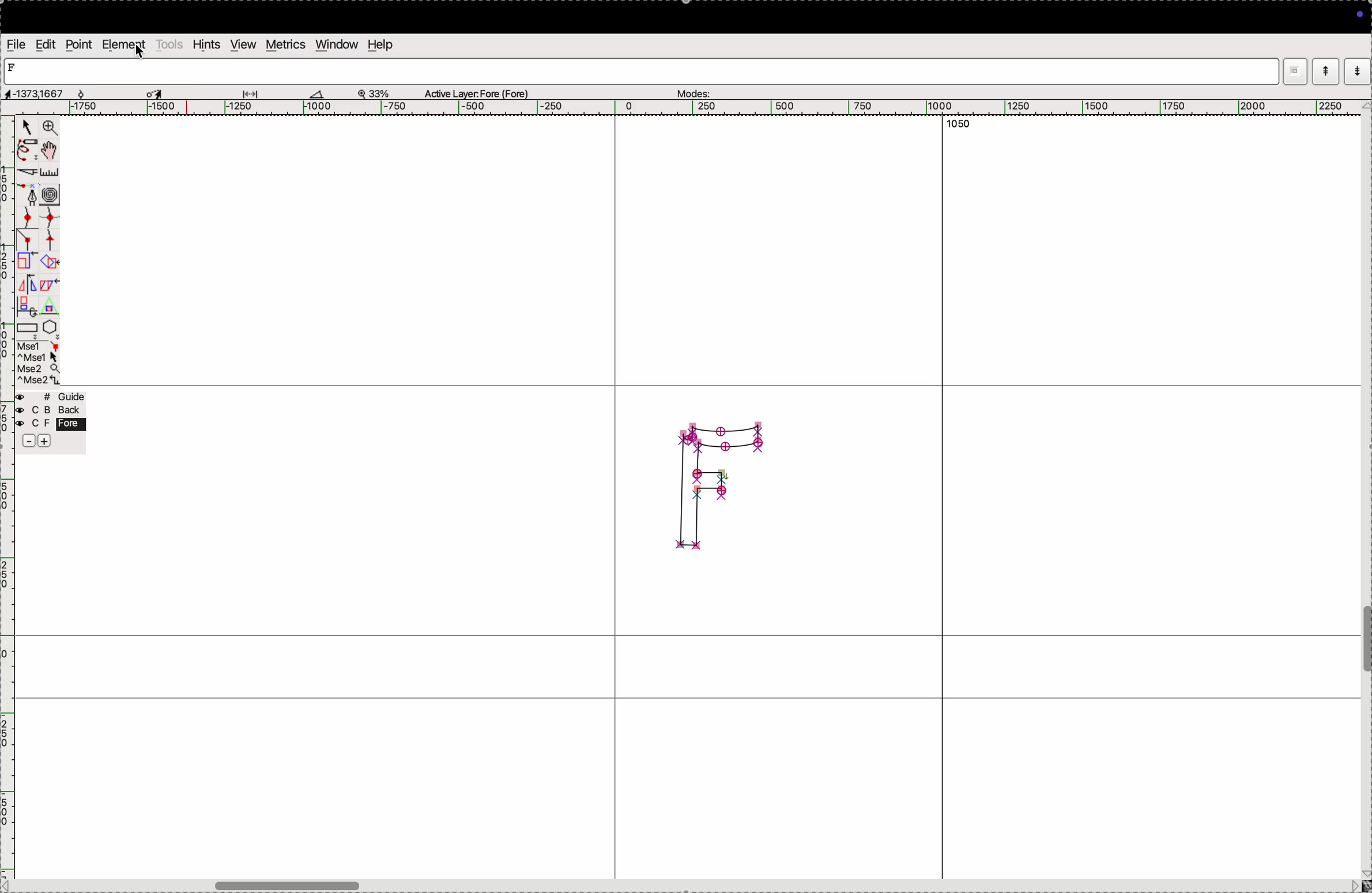  Describe the element at coordinates (50, 129) in the screenshot. I see `zoom` at that location.